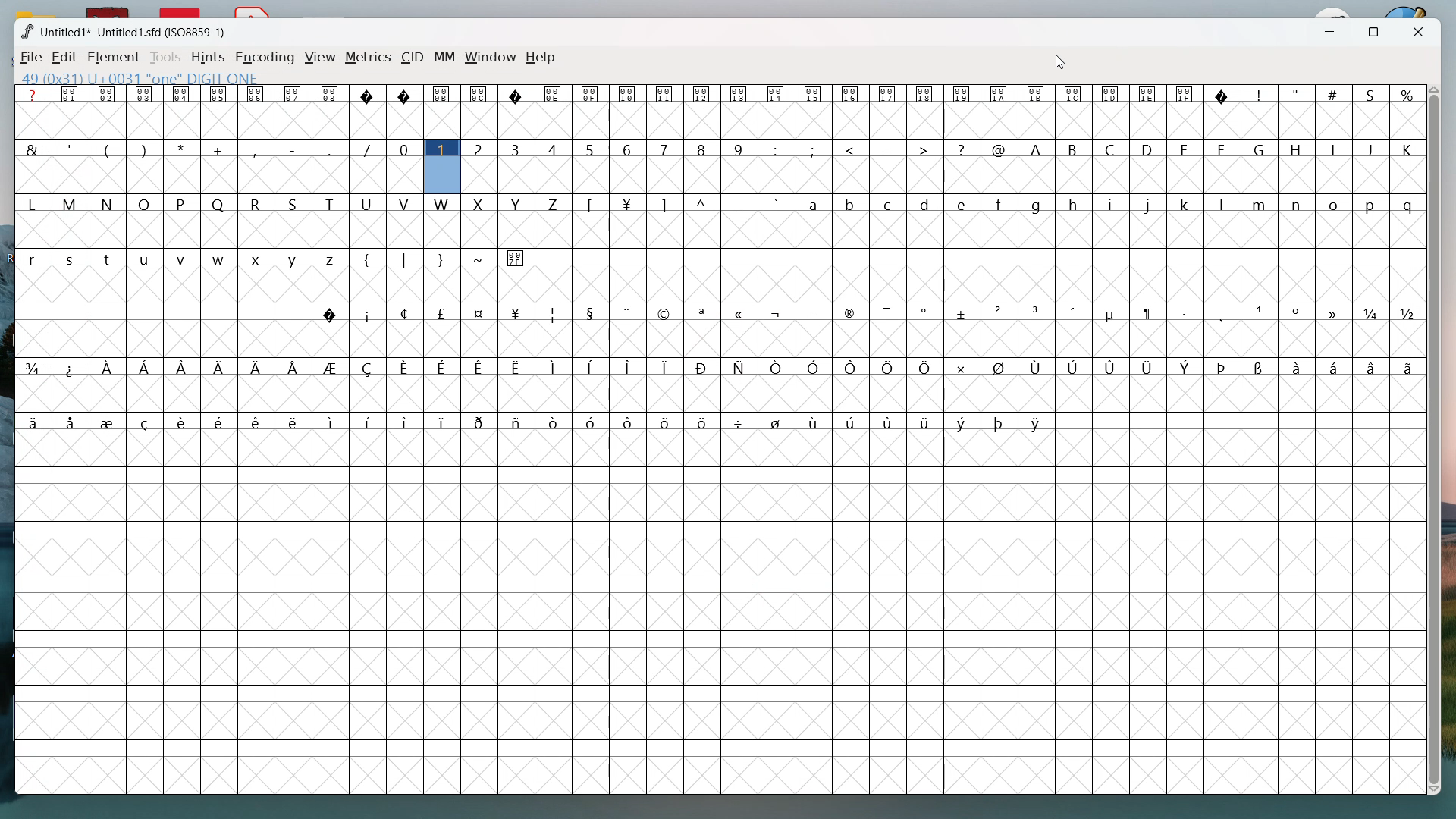 The width and height of the screenshot is (1456, 819). I want to click on symbol, so click(853, 366).